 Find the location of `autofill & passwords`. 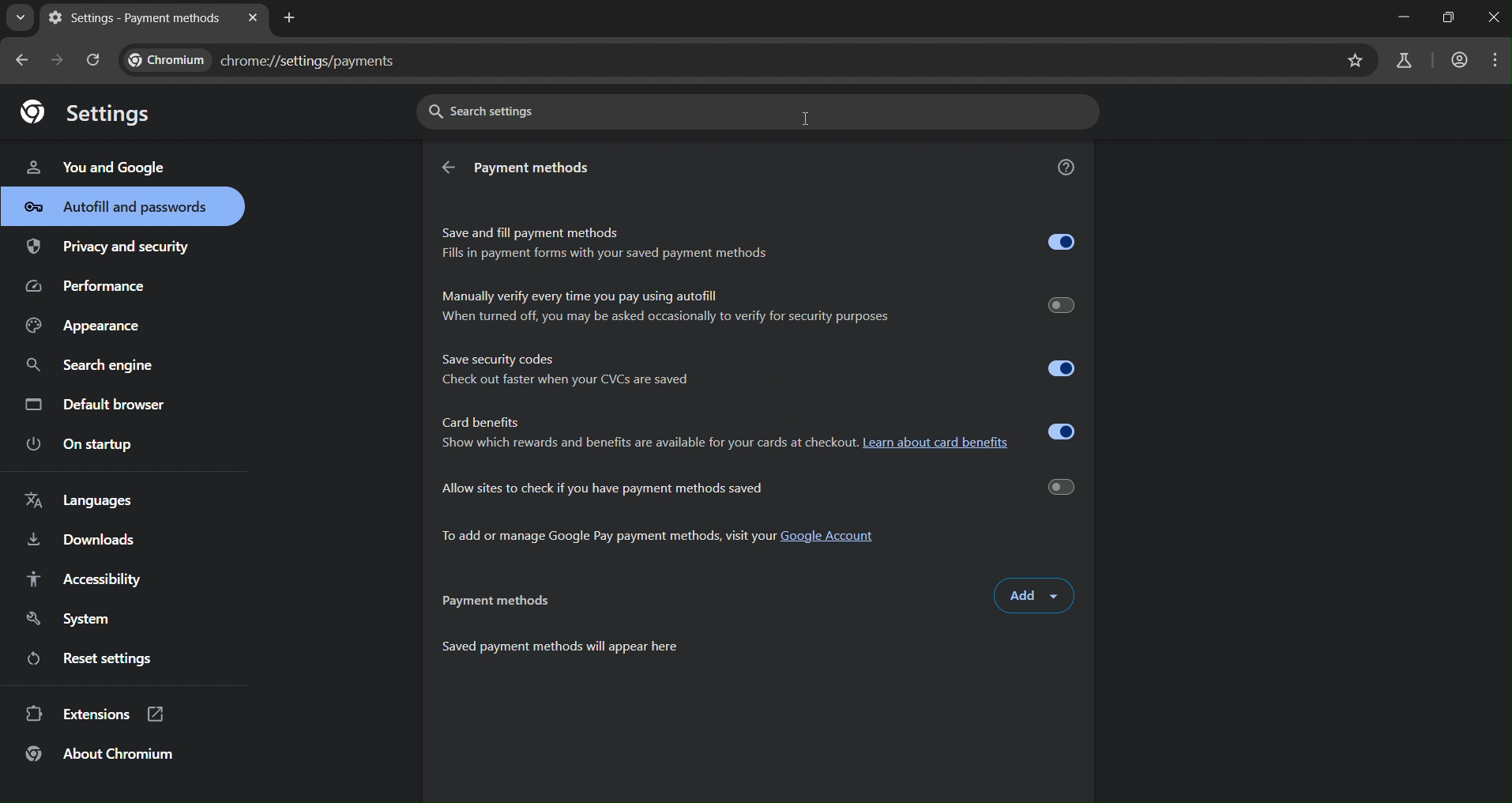

autofill & passwords is located at coordinates (114, 207).